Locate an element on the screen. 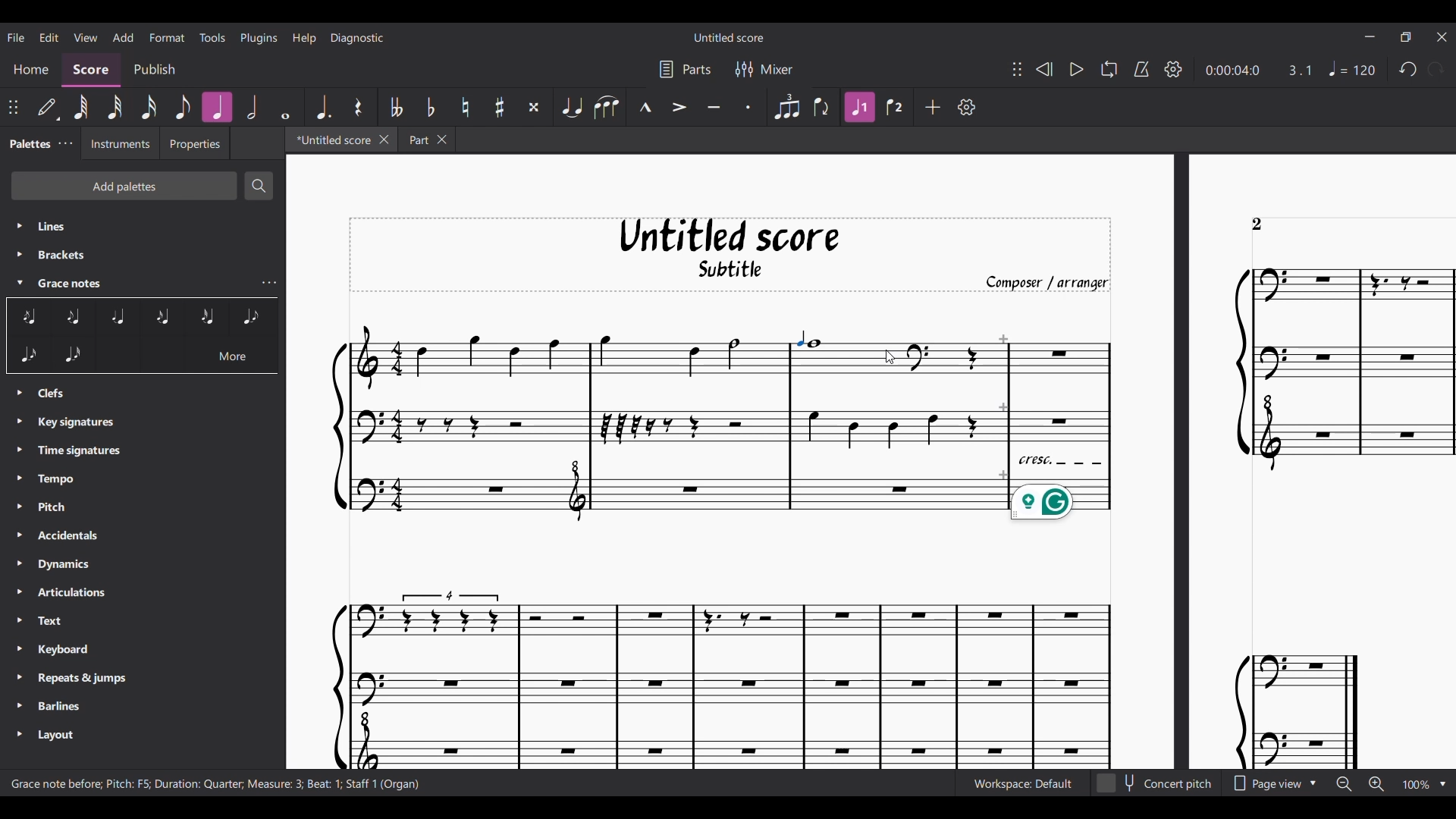 Image resolution: width=1456 pixels, height=819 pixels. Playback settings is located at coordinates (1173, 69).